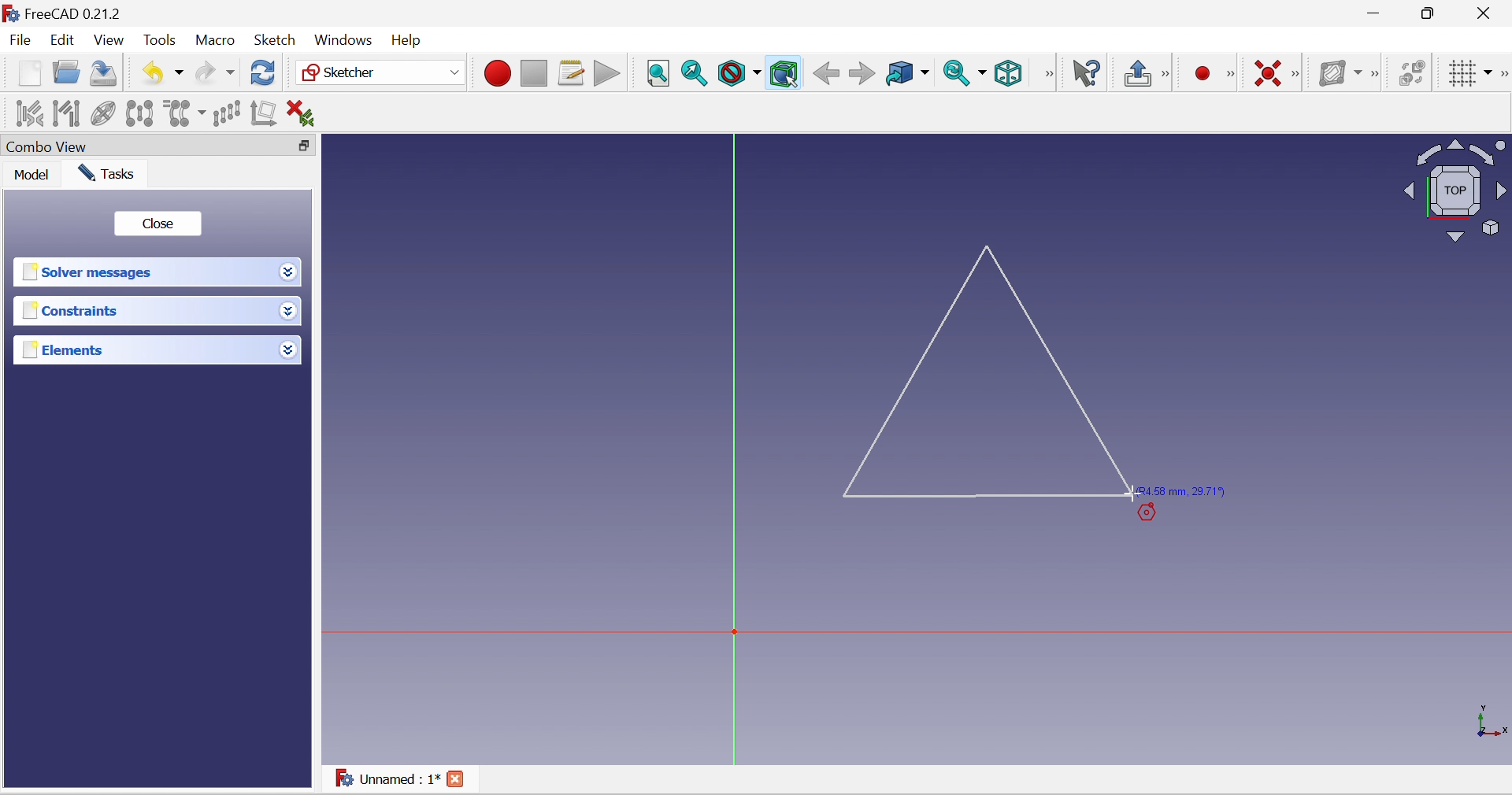  What do you see at coordinates (139, 113) in the screenshot?
I see `Symmetry` at bounding box center [139, 113].